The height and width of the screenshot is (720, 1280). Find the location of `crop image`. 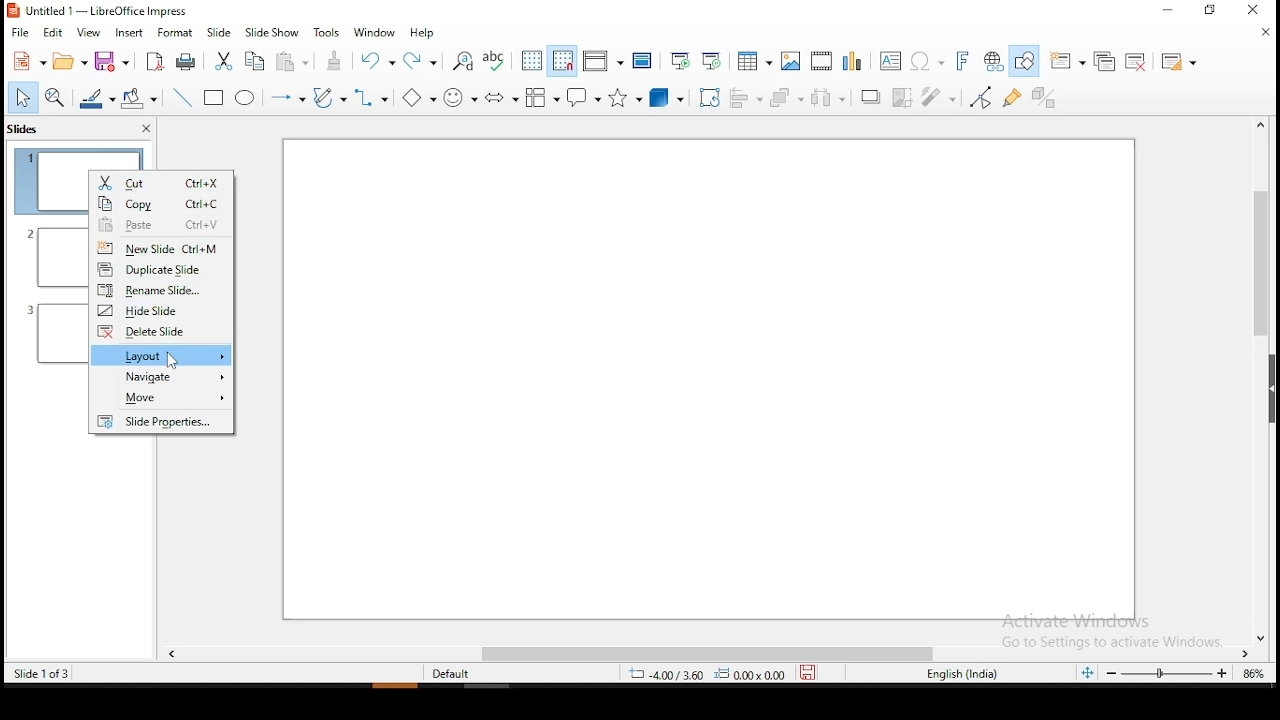

crop image is located at coordinates (904, 97).